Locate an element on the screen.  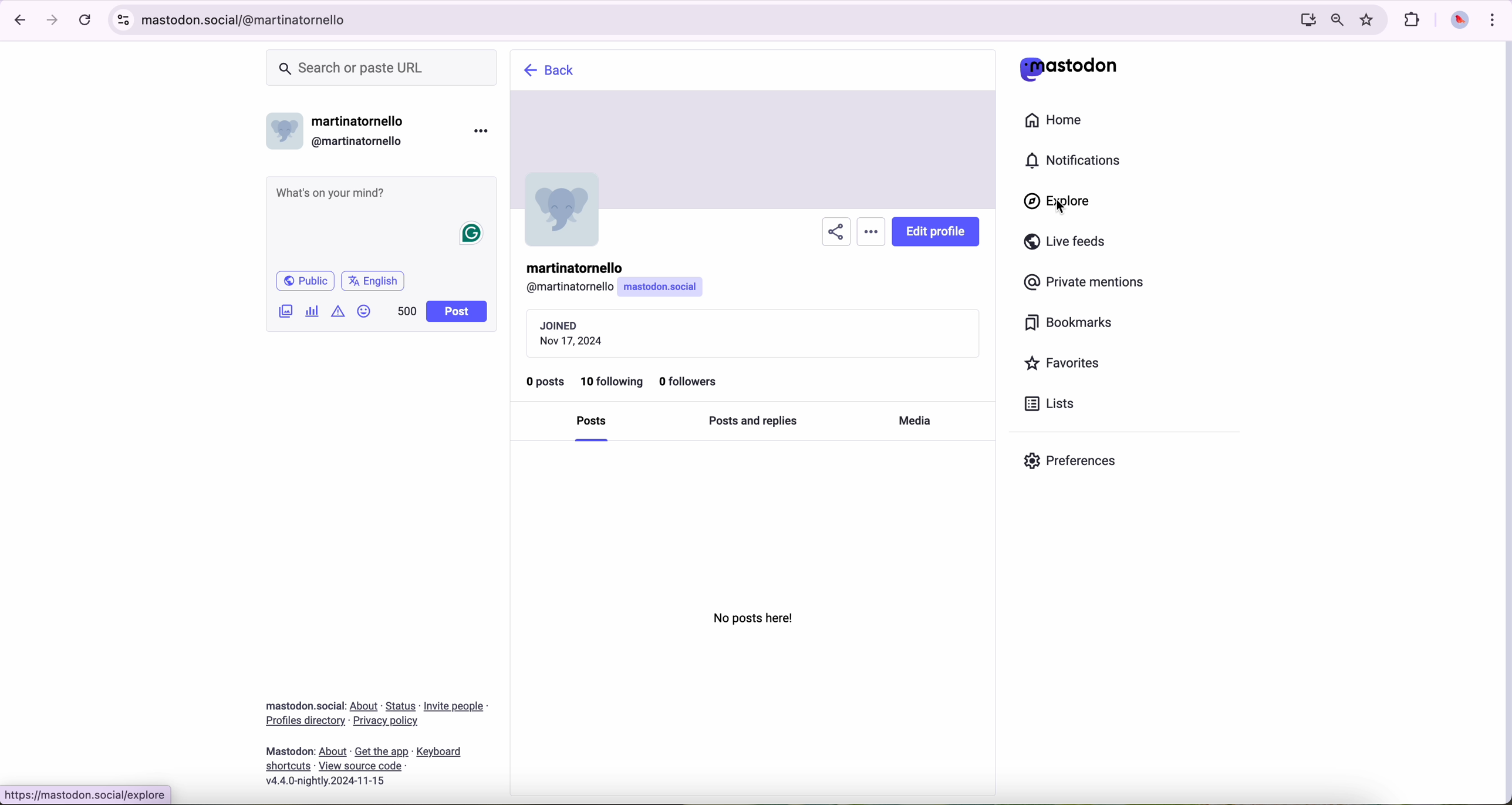
user name is located at coordinates (362, 122).